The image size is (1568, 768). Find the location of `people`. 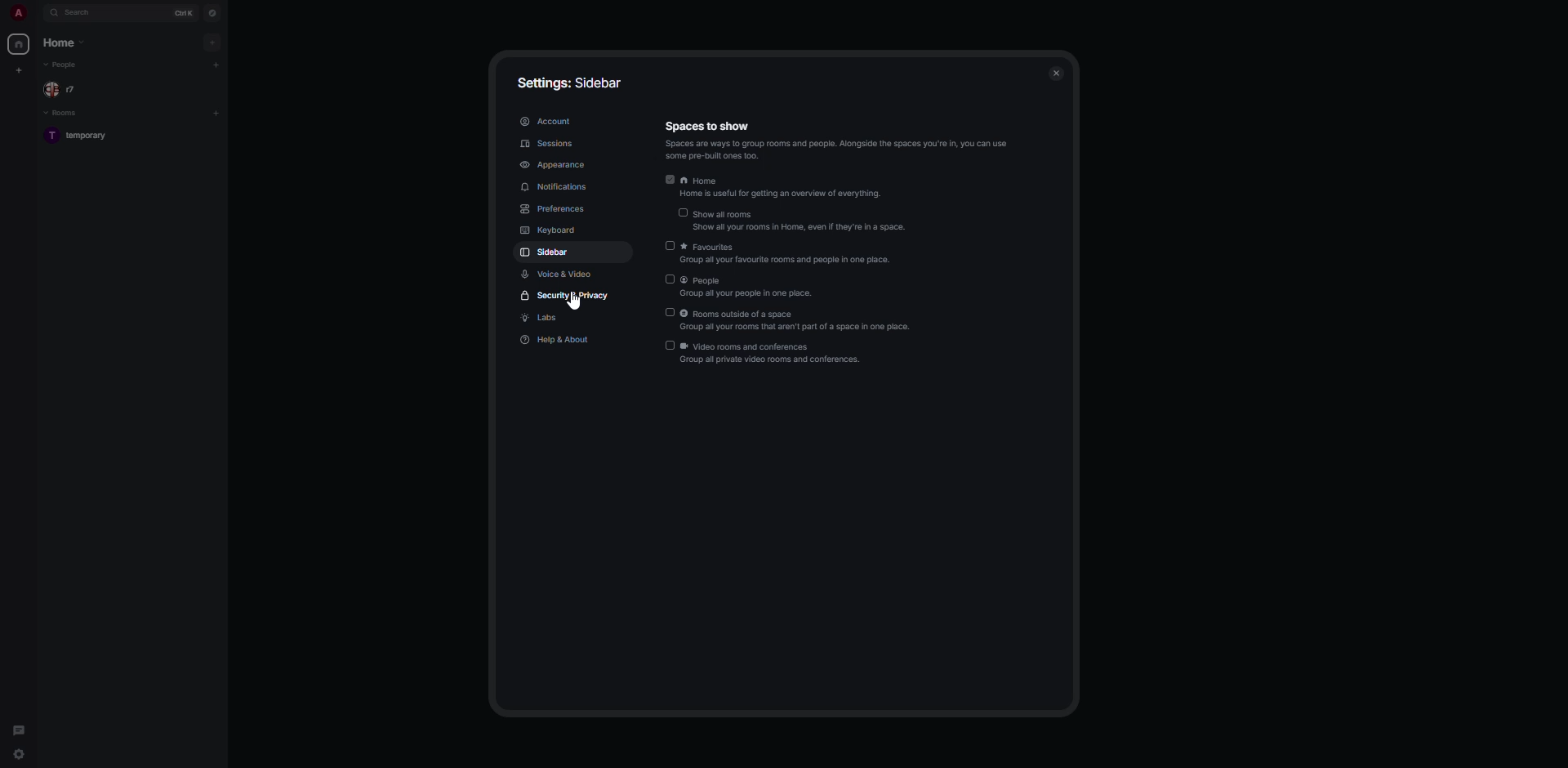

people is located at coordinates (64, 89).